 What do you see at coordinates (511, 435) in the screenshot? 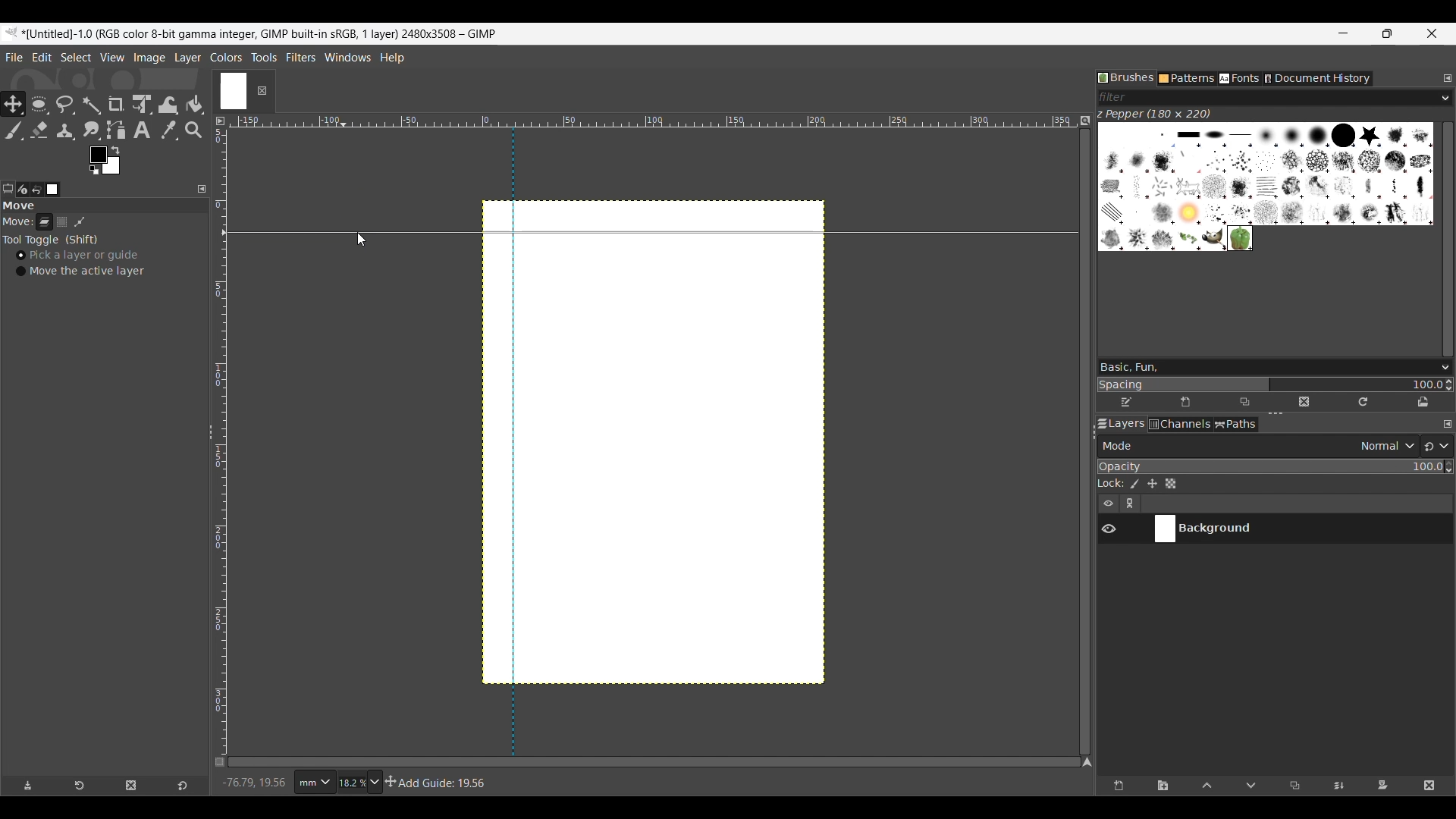
I see `vertical guide line` at bounding box center [511, 435].